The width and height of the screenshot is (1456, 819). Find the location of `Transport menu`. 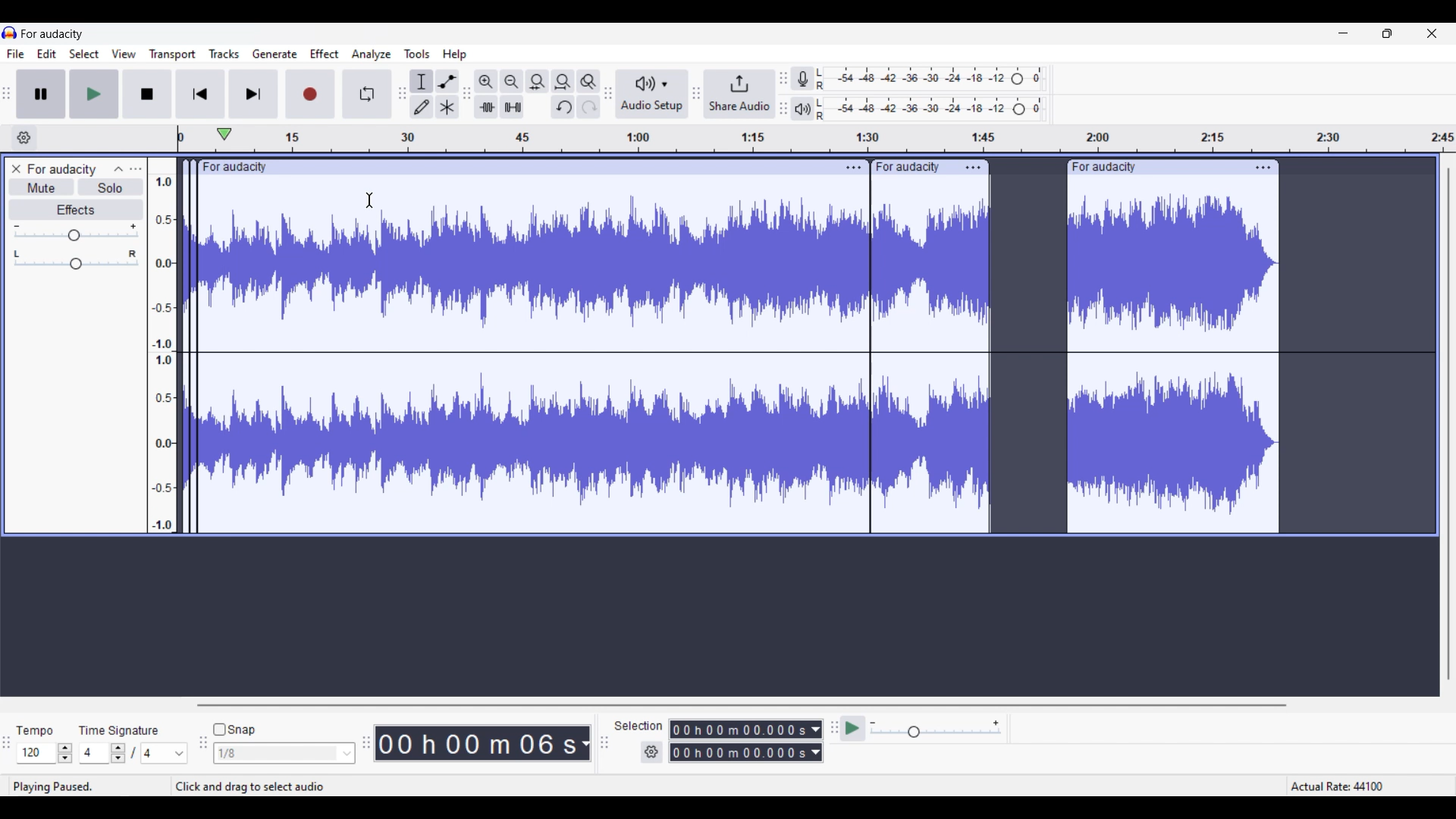

Transport menu is located at coordinates (172, 55).